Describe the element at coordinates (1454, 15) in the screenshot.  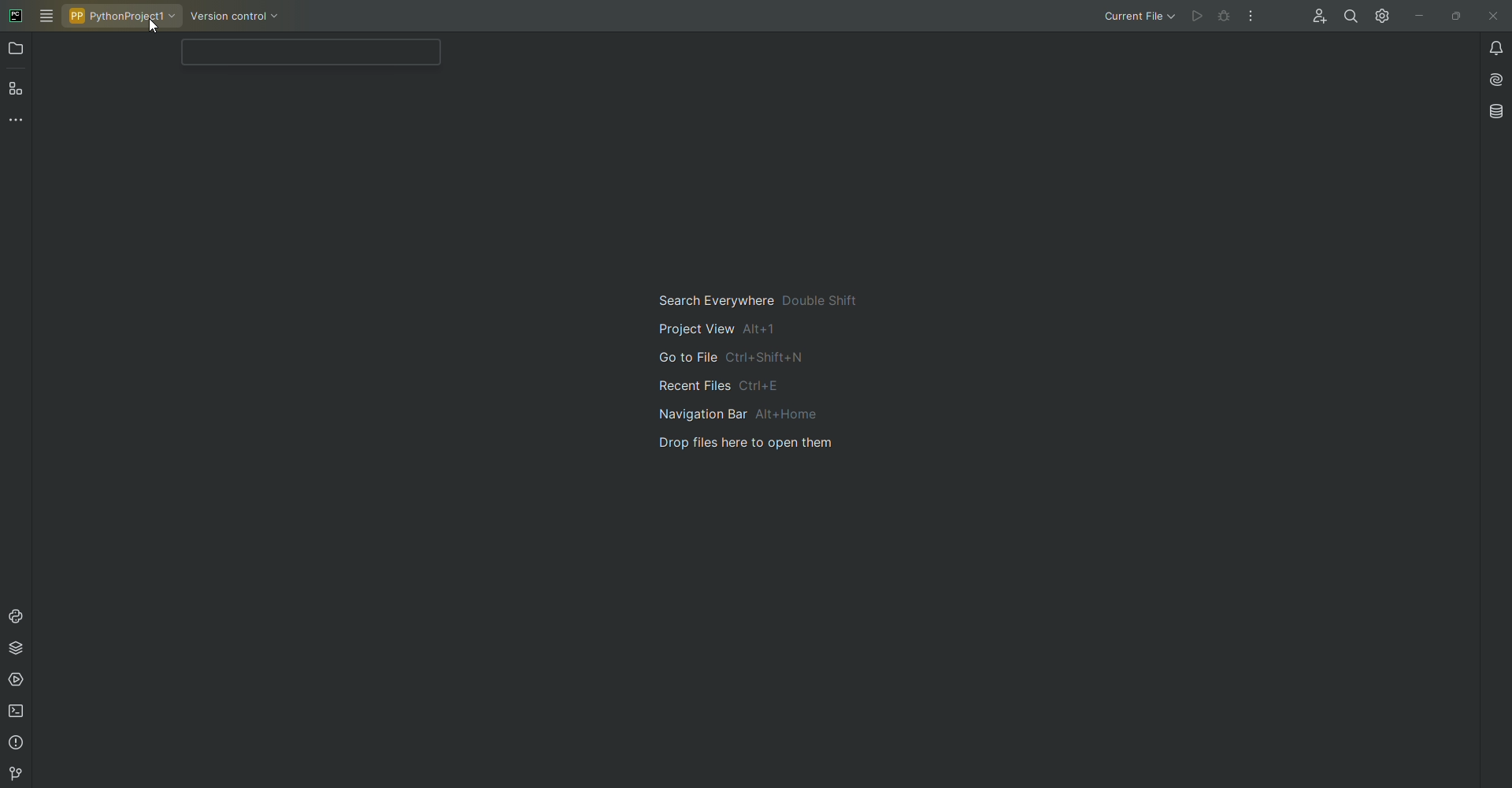
I see `Restore` at that location.